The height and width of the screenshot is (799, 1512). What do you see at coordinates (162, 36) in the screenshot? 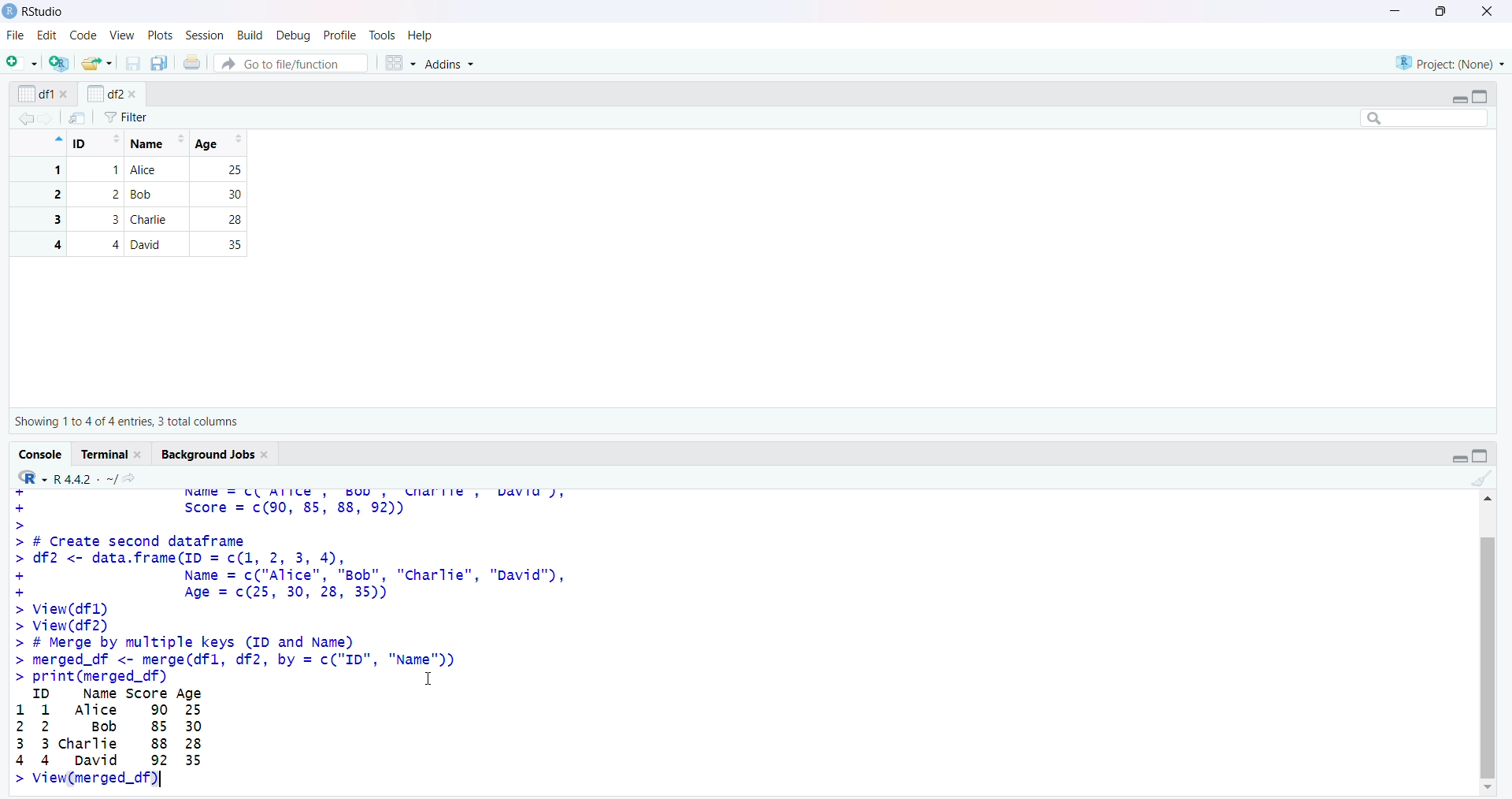
I see `plots` at bounding box center [162, 36].